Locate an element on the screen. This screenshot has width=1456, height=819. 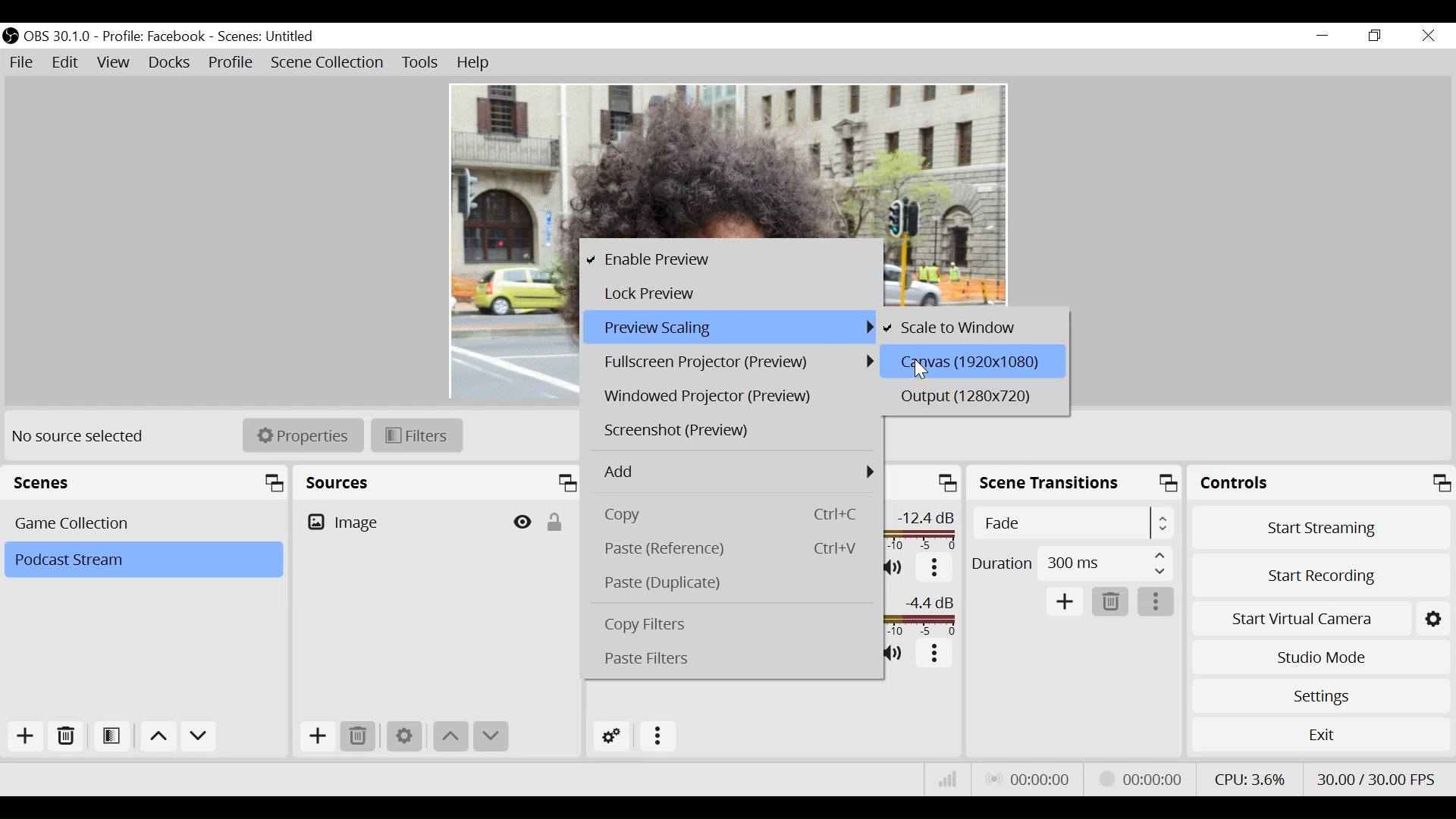
Sources Panel is located at coordinates (438, 482).